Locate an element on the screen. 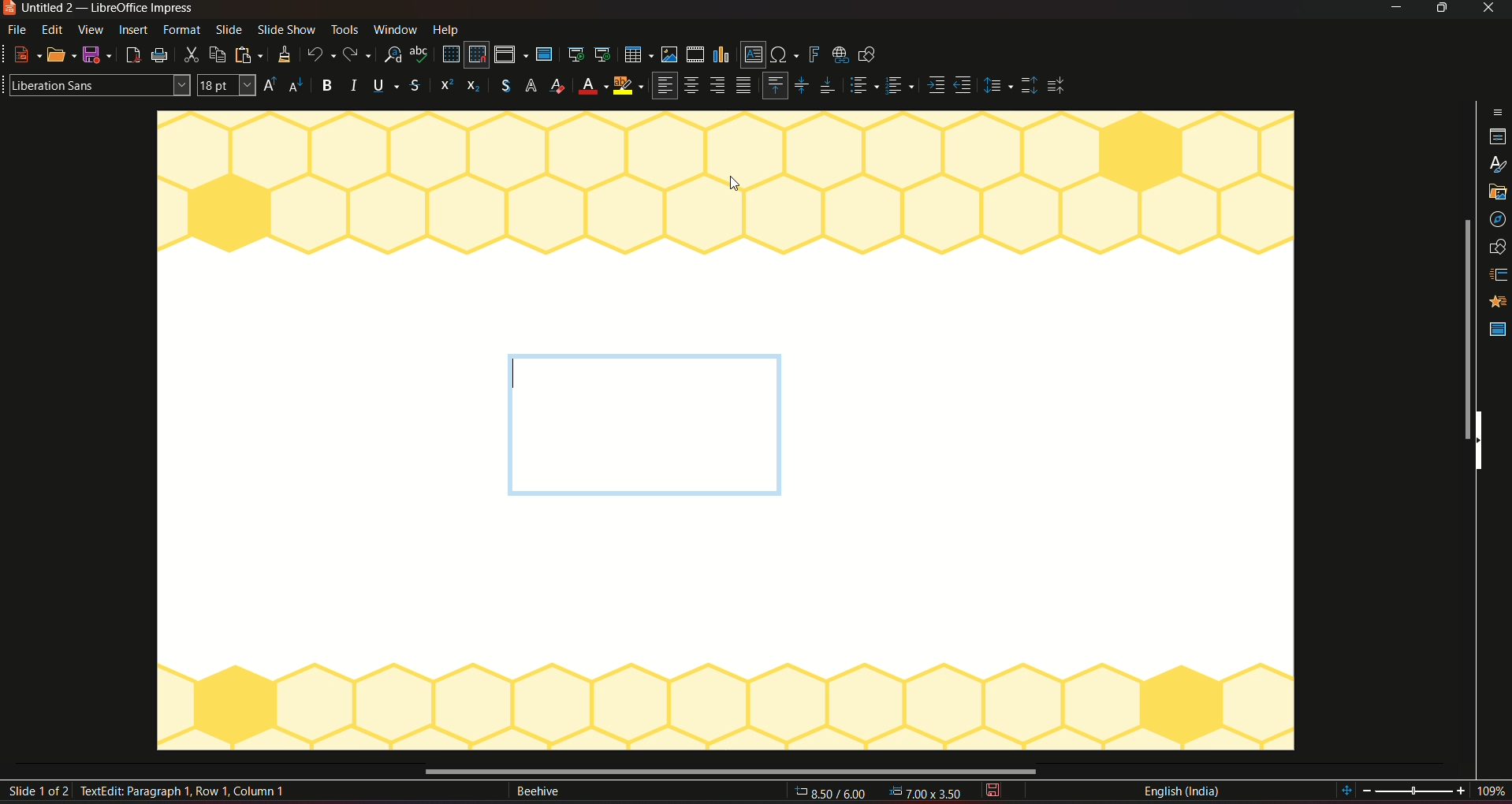 This screenshot has width=1512, height=804. properties is located at coordinates (1496, 106).